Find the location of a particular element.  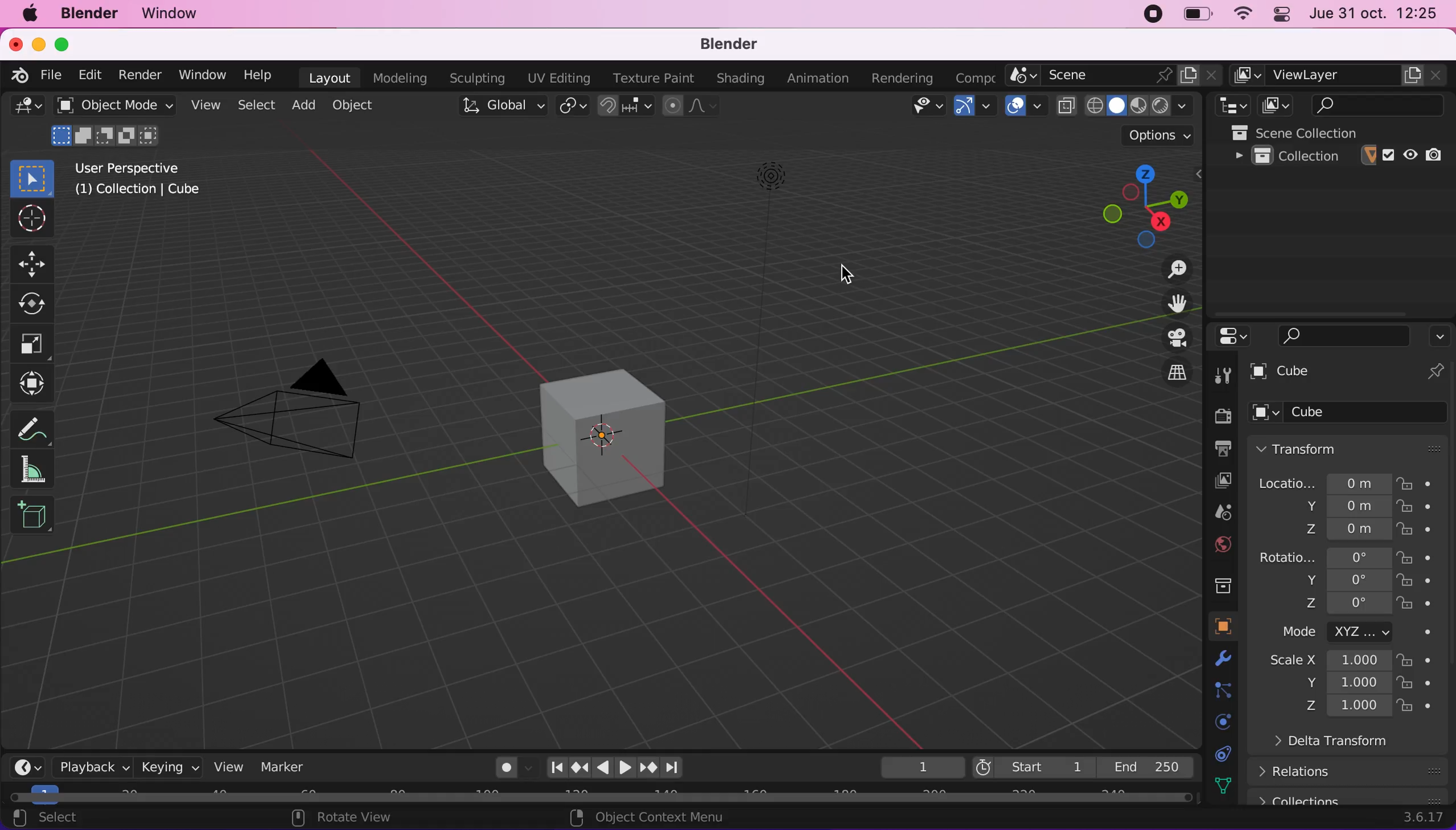

 is located at coordinates (1225, 373).